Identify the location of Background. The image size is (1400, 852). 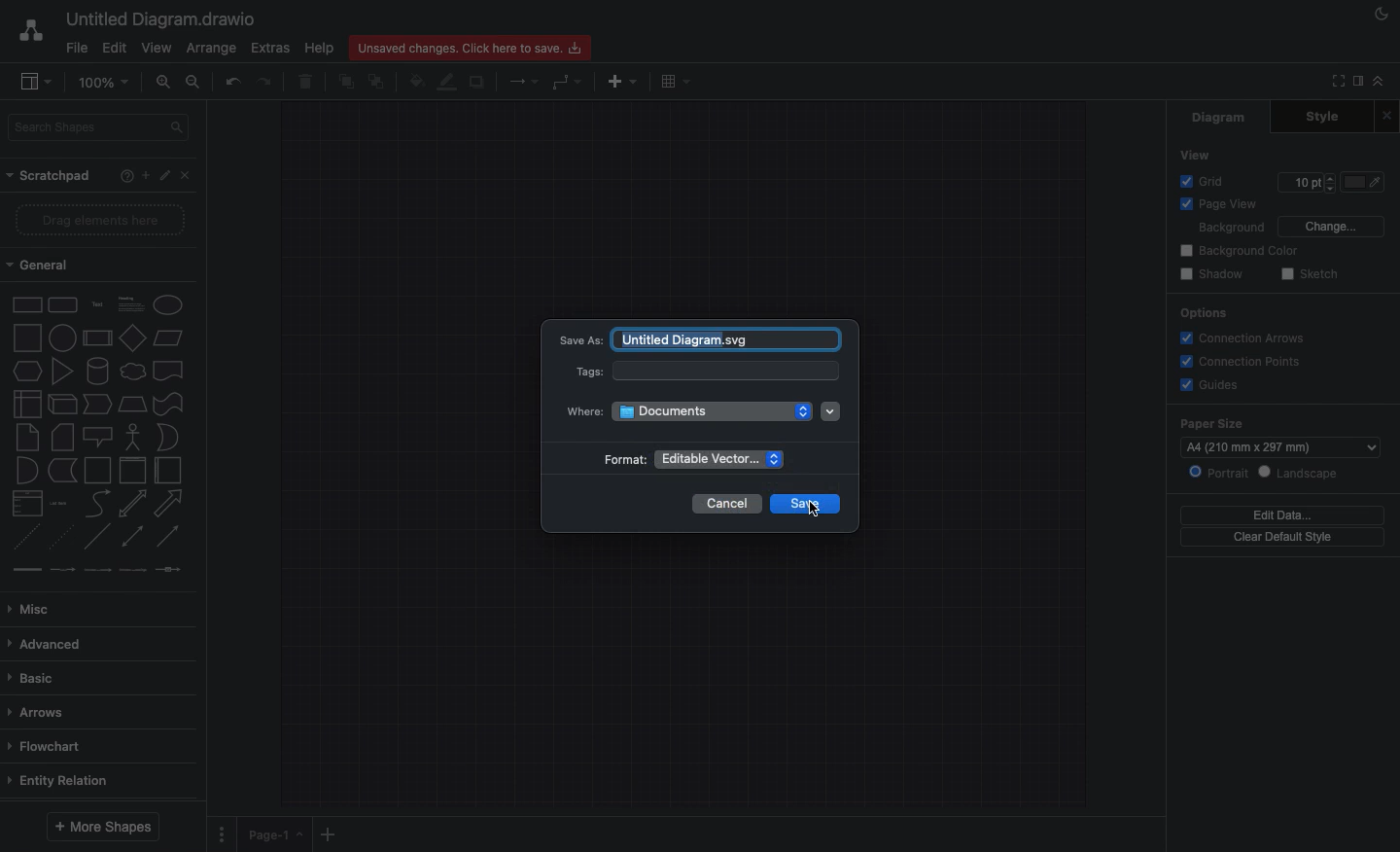
(1231, 229).